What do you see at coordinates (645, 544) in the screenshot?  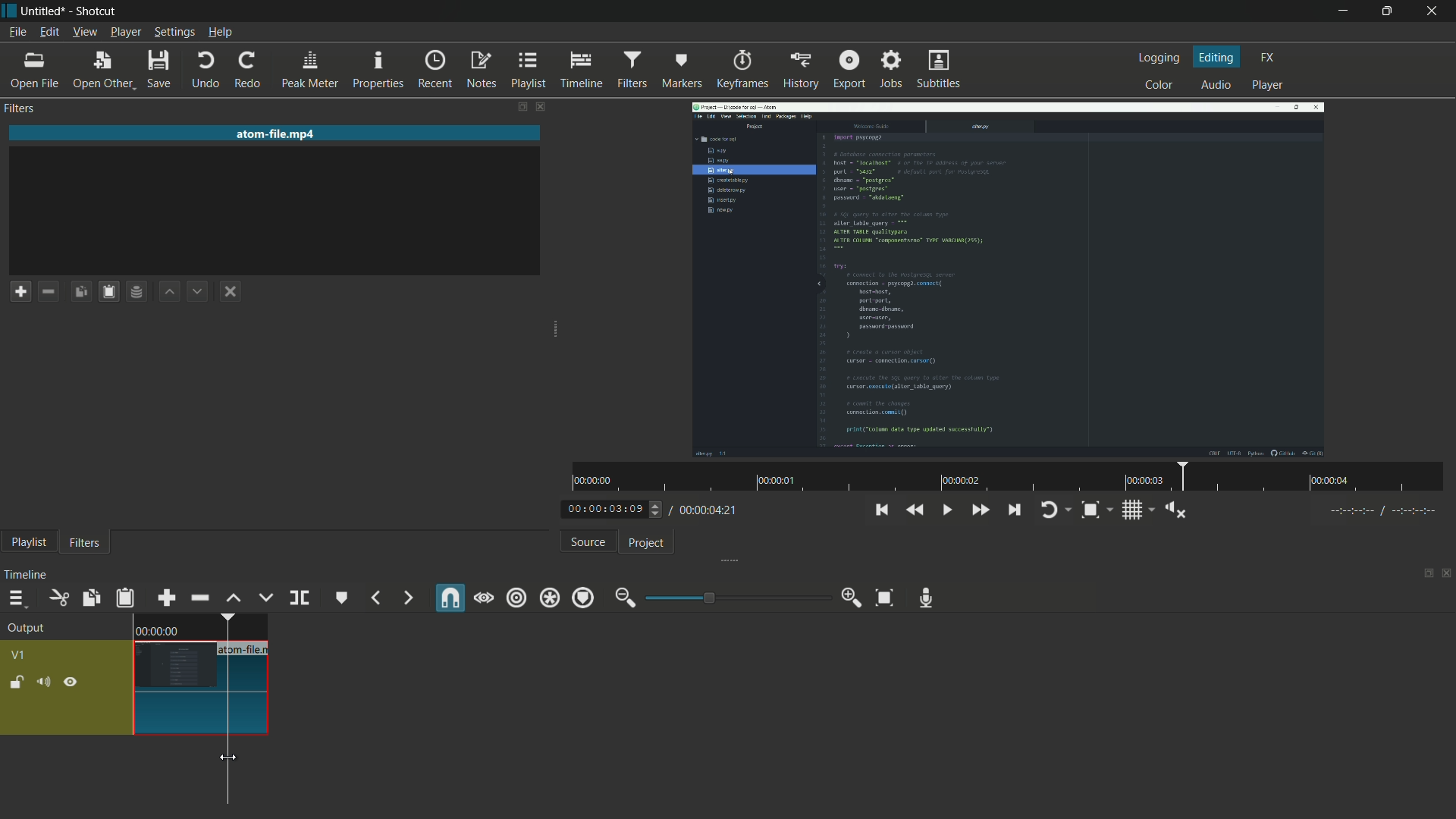 I see `project` at bounding box center [645, 544].